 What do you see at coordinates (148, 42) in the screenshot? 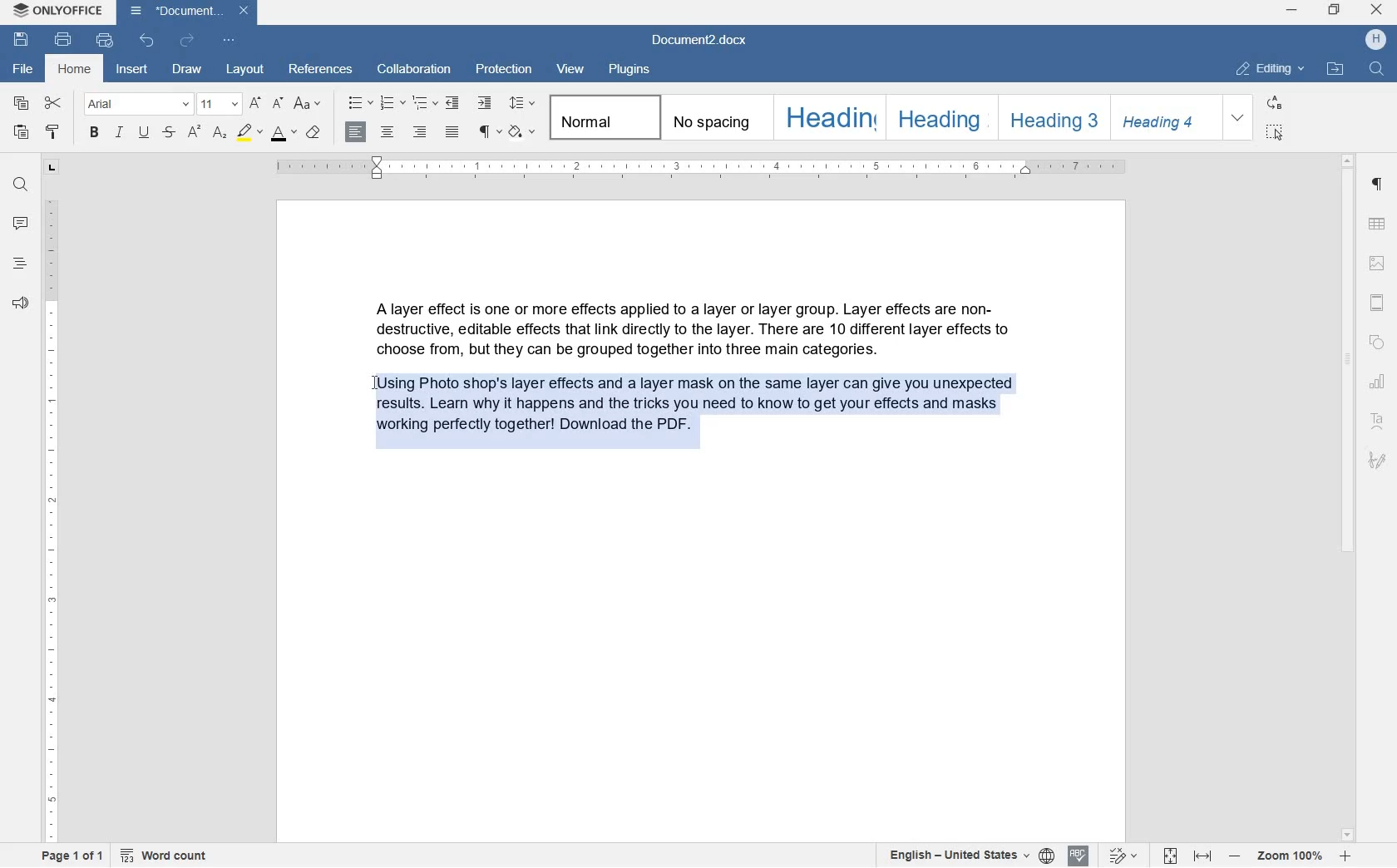
I see `UNDO` at bounding box center [148, 42].